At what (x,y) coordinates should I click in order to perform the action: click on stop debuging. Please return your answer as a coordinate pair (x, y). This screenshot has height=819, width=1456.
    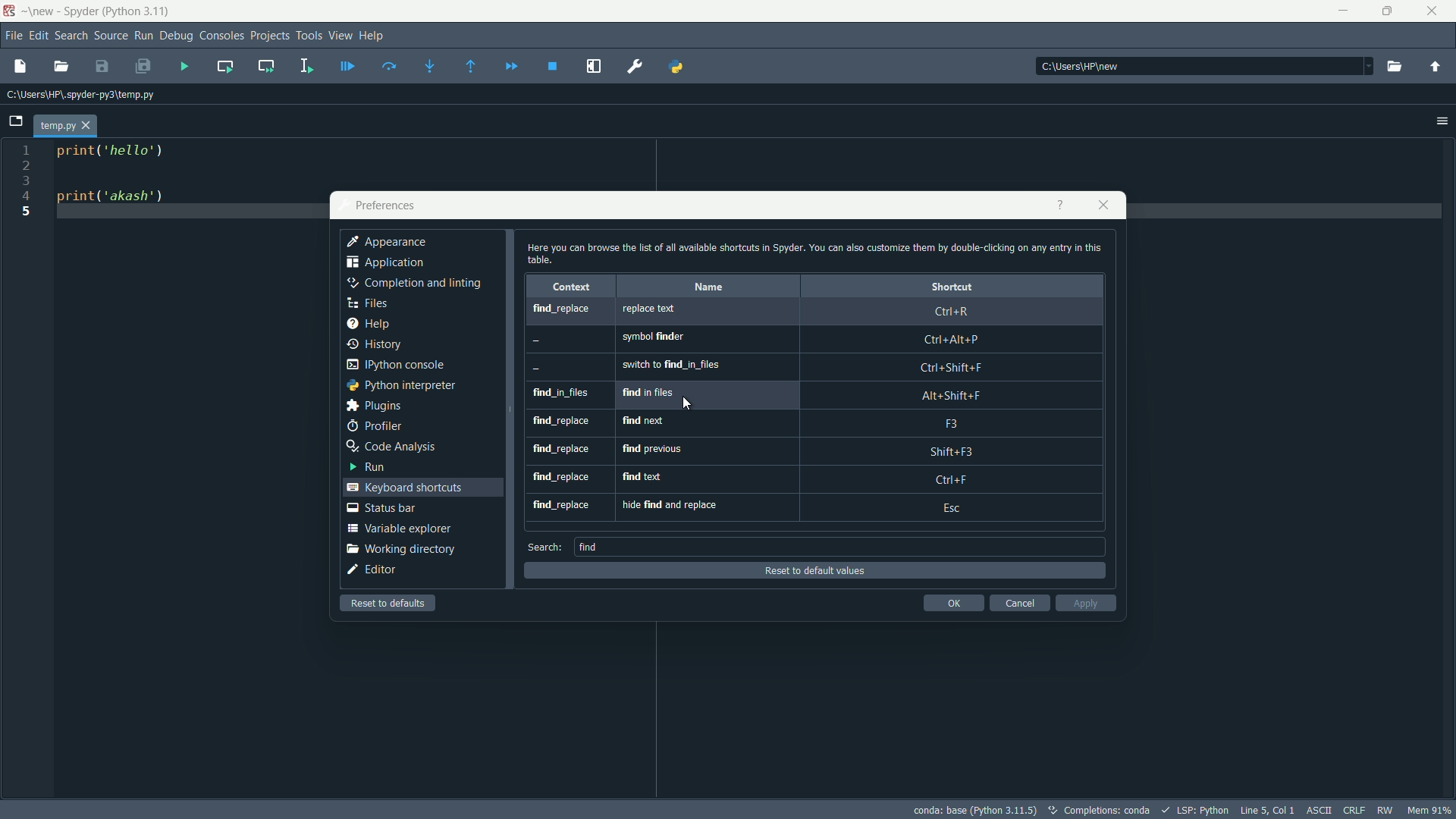
    Looking at the image, I should click on (552, 67).